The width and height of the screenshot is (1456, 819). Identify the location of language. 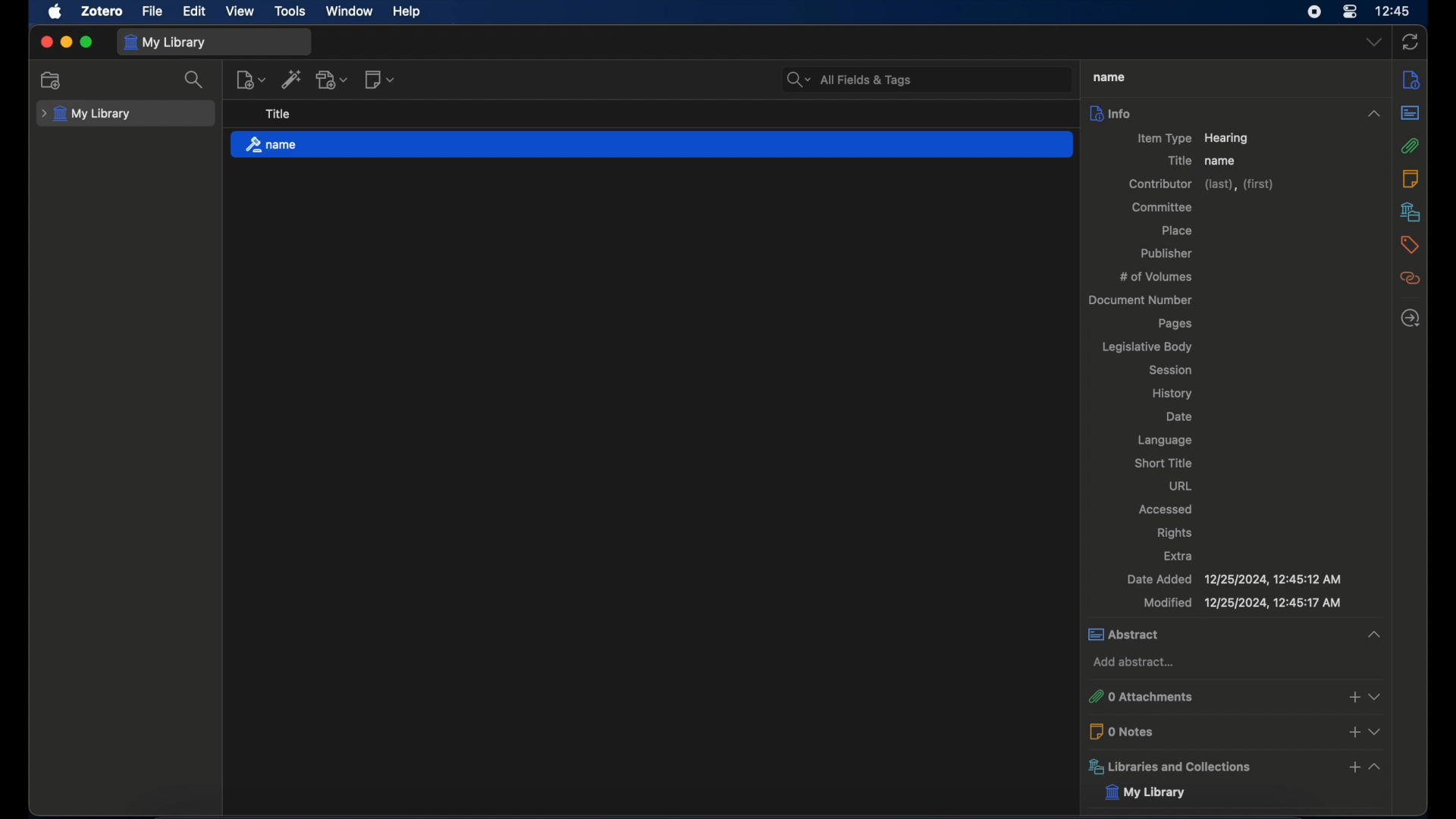
(1165, 440).